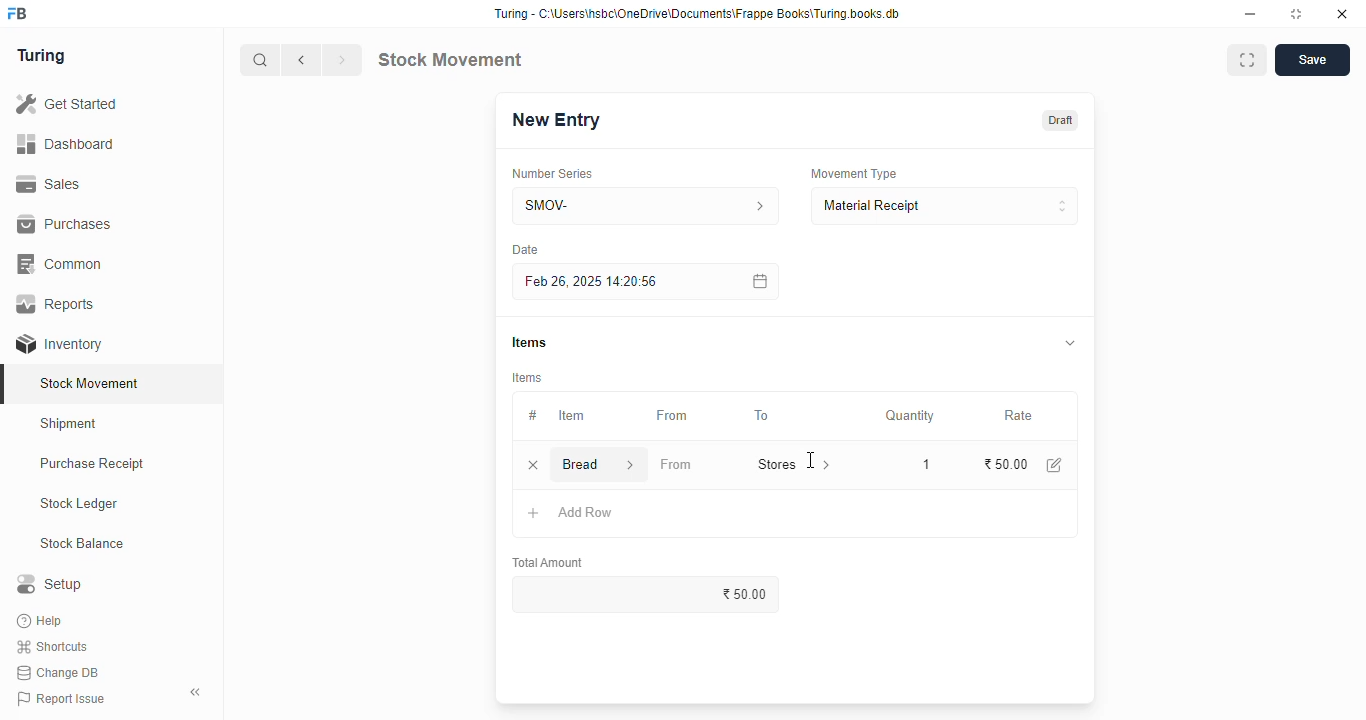 The height and width of the screenshot is (720, 1366). What do you see at coordinates (763, 416) in the screenshot?
I see `to` at bounding box center [763, 416].